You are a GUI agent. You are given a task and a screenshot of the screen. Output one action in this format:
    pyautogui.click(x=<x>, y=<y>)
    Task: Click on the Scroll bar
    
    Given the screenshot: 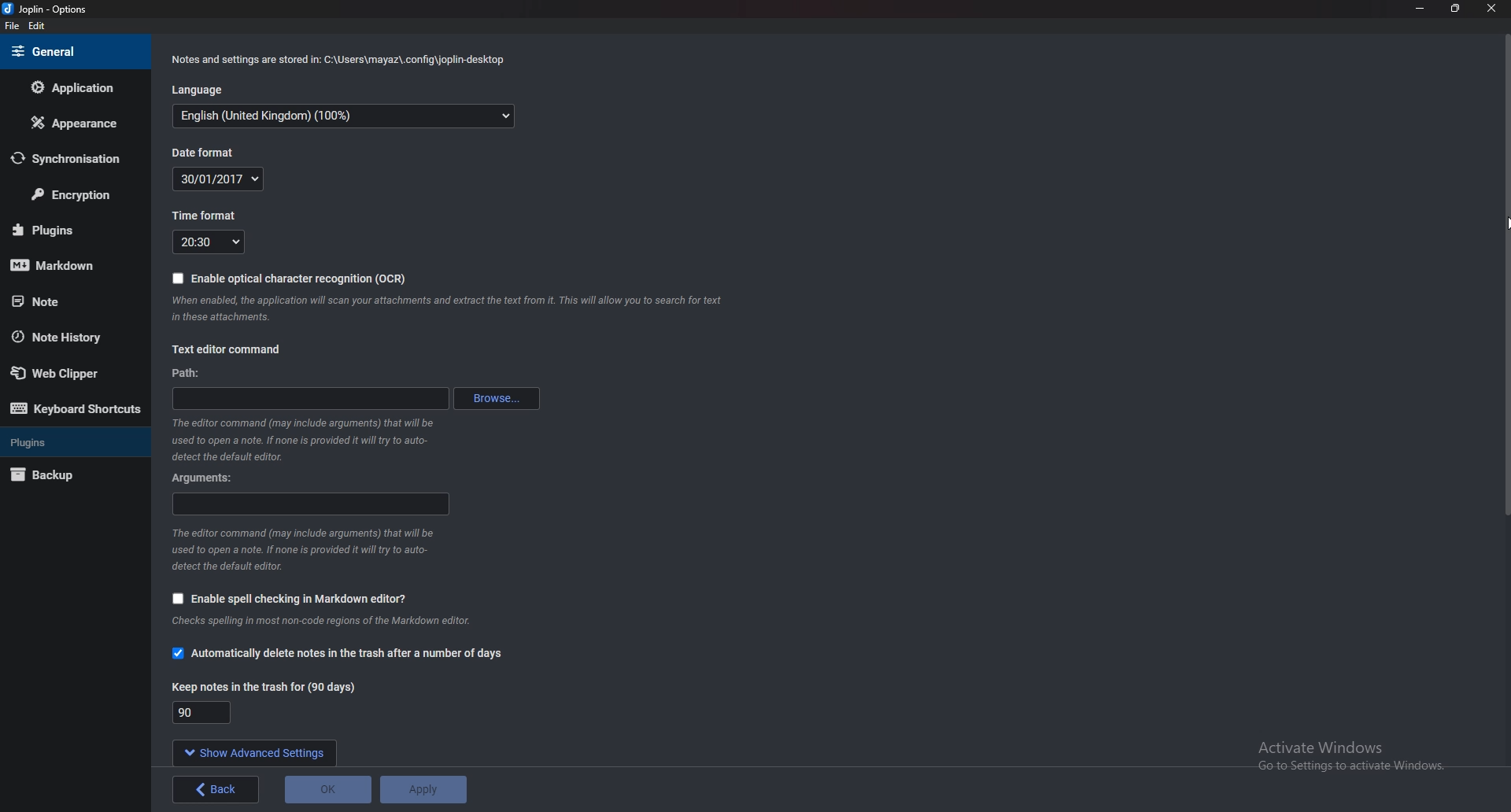 What is the action you would take?
    pyautogui.click(x=1506, y=400)
    